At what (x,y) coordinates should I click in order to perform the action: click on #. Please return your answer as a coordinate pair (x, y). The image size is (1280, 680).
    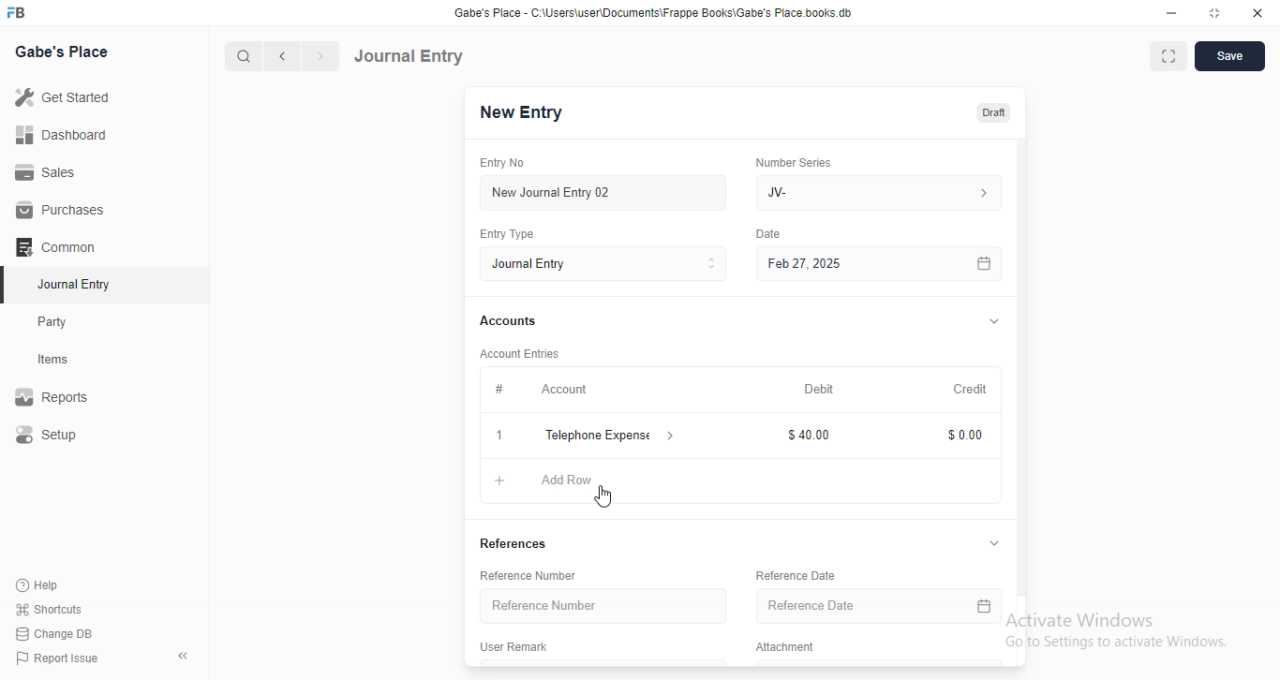
    Looking at the image, I should click on (499, 388).